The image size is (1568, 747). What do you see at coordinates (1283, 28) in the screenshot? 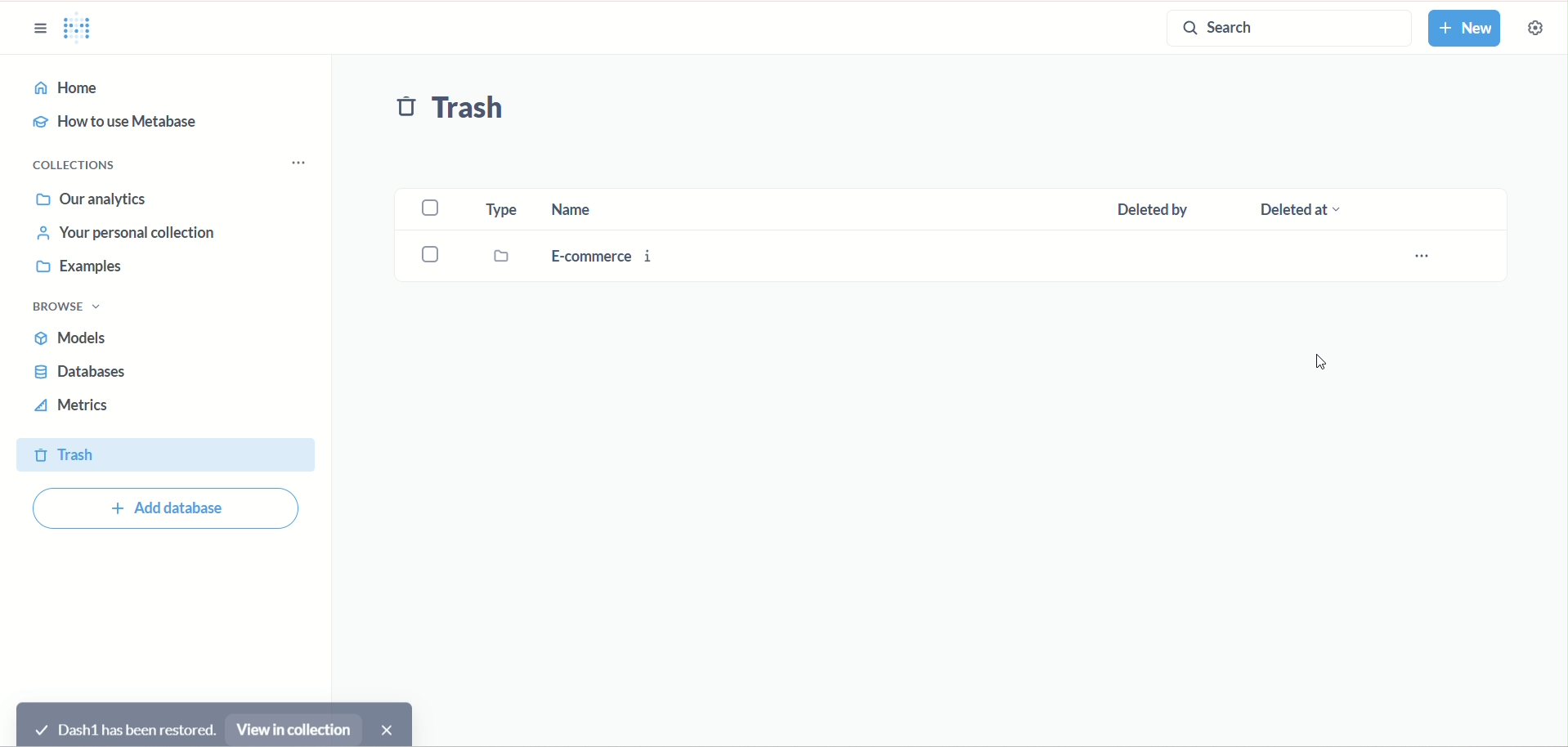
I see `search` at bounding box center [1283, 28].